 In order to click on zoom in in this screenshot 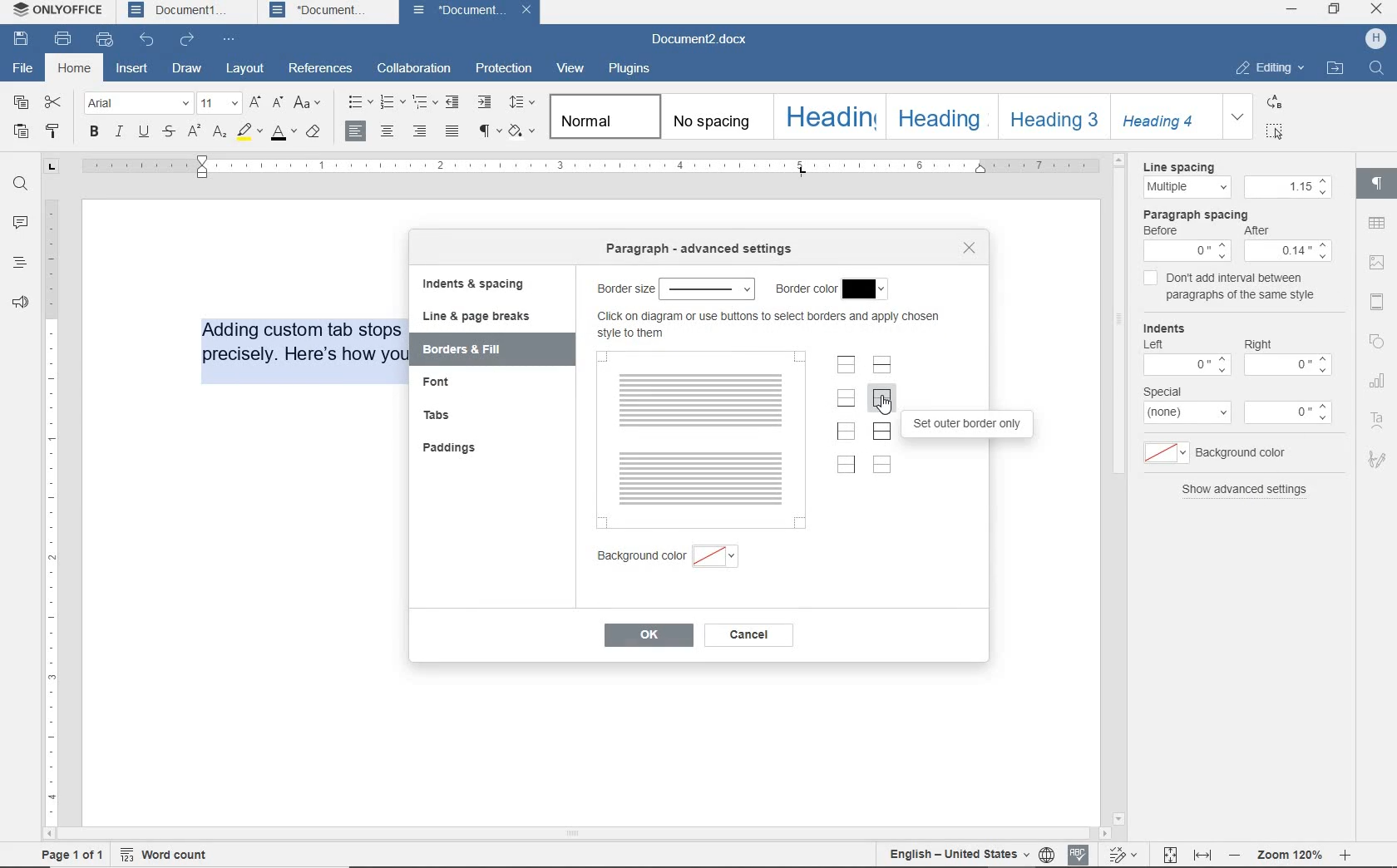, I will do `click(1350, 854)`.